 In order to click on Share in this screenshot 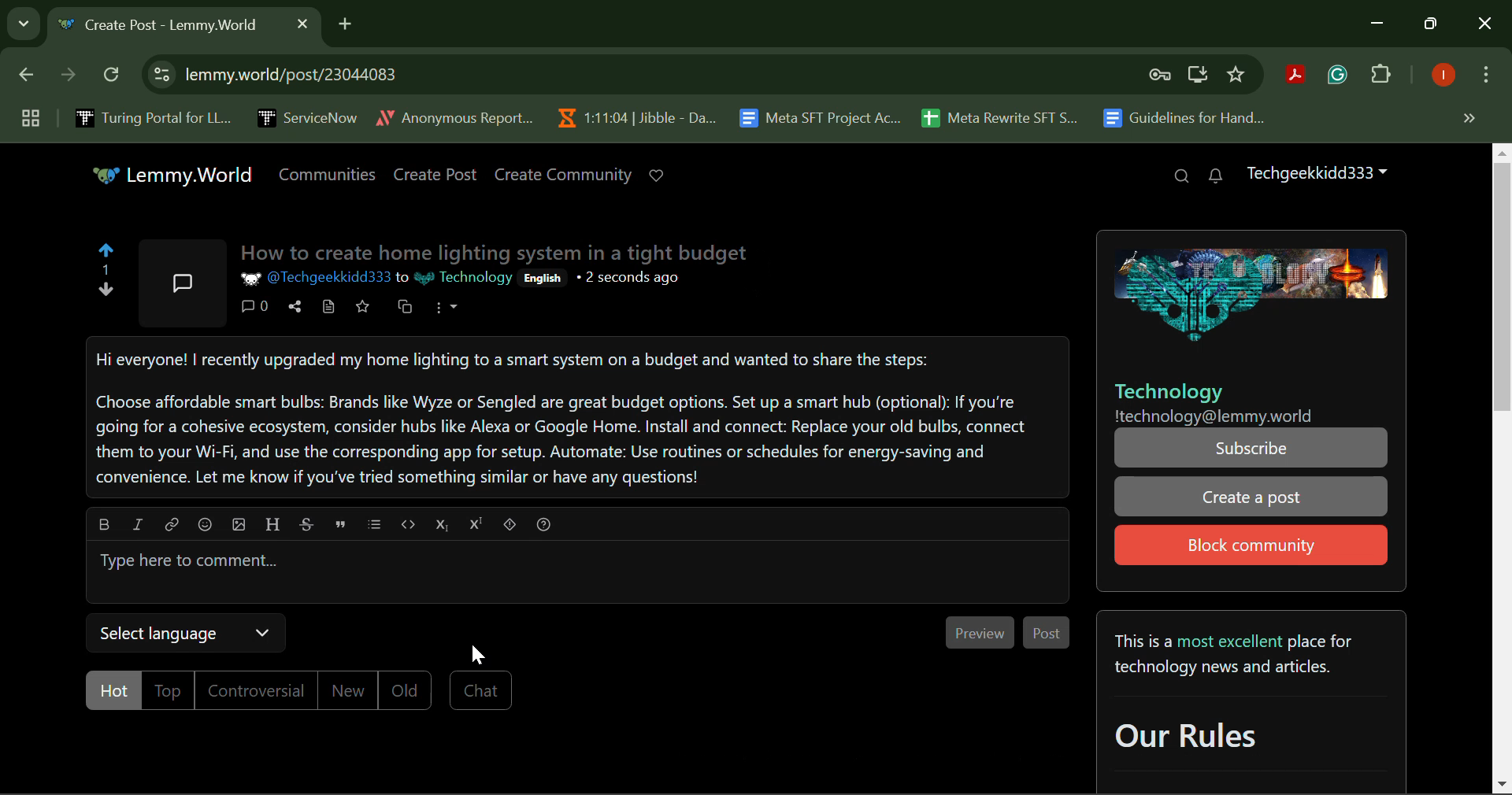, I will do `click(295, 306)`.